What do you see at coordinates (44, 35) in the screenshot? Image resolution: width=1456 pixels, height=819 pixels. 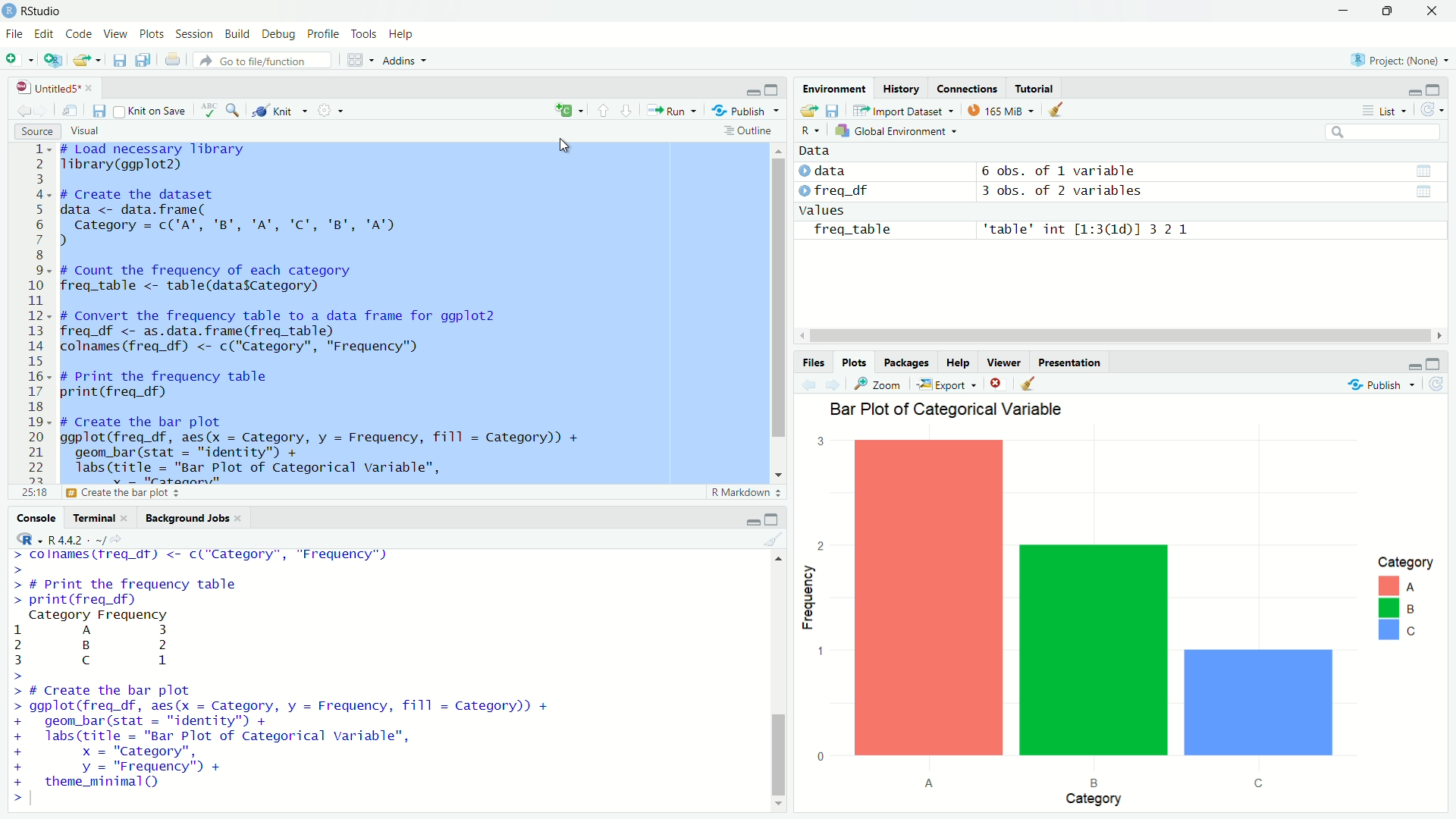 I see `edit` at bounding box center [44, 35].